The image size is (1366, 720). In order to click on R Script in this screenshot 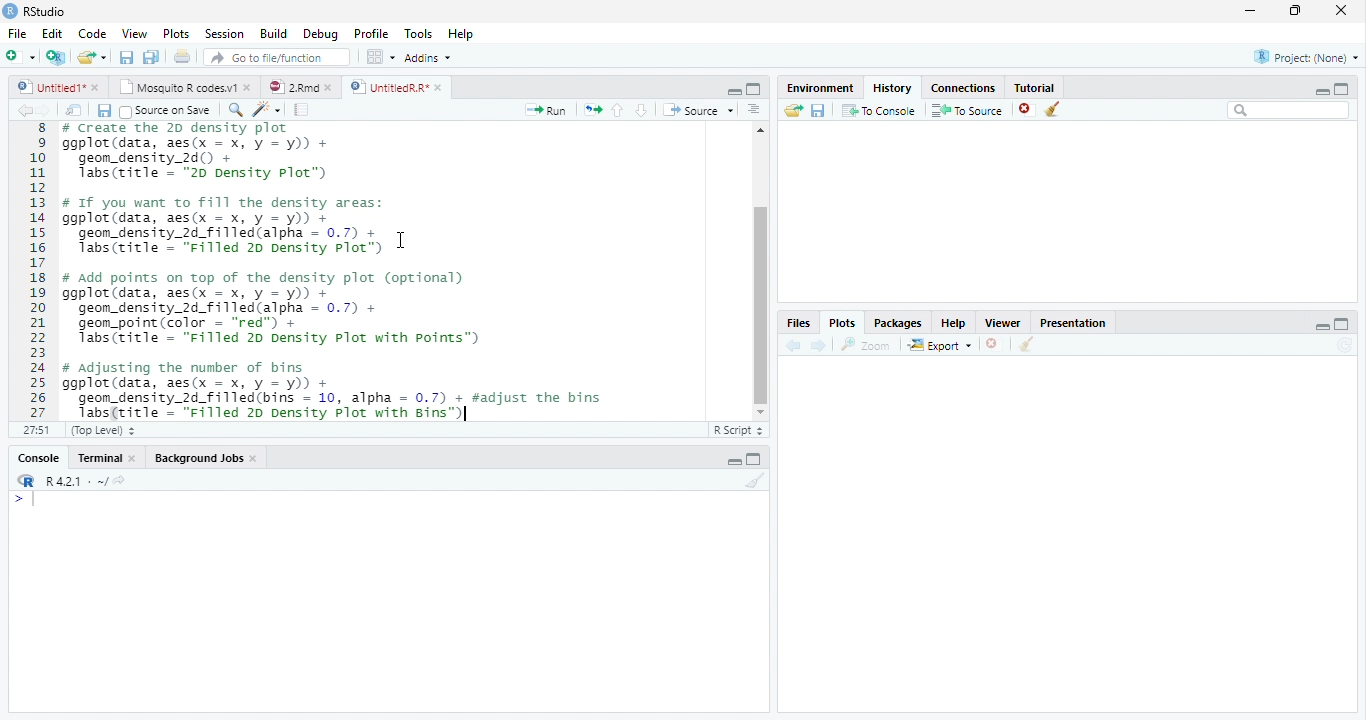, I will do `click(739, 431)`.